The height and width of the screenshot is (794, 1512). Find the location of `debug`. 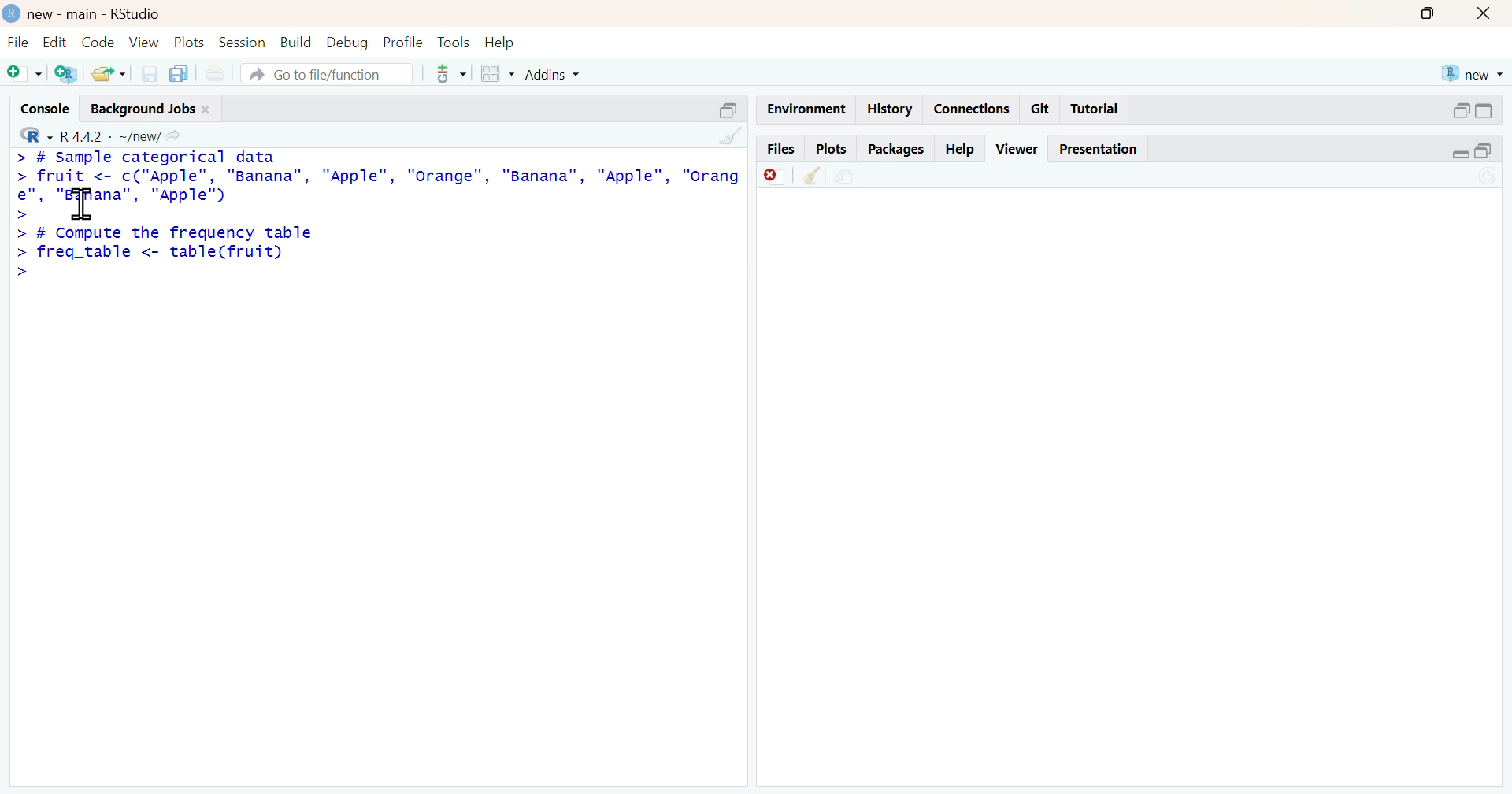

debug is located at coordinates (348, 43).